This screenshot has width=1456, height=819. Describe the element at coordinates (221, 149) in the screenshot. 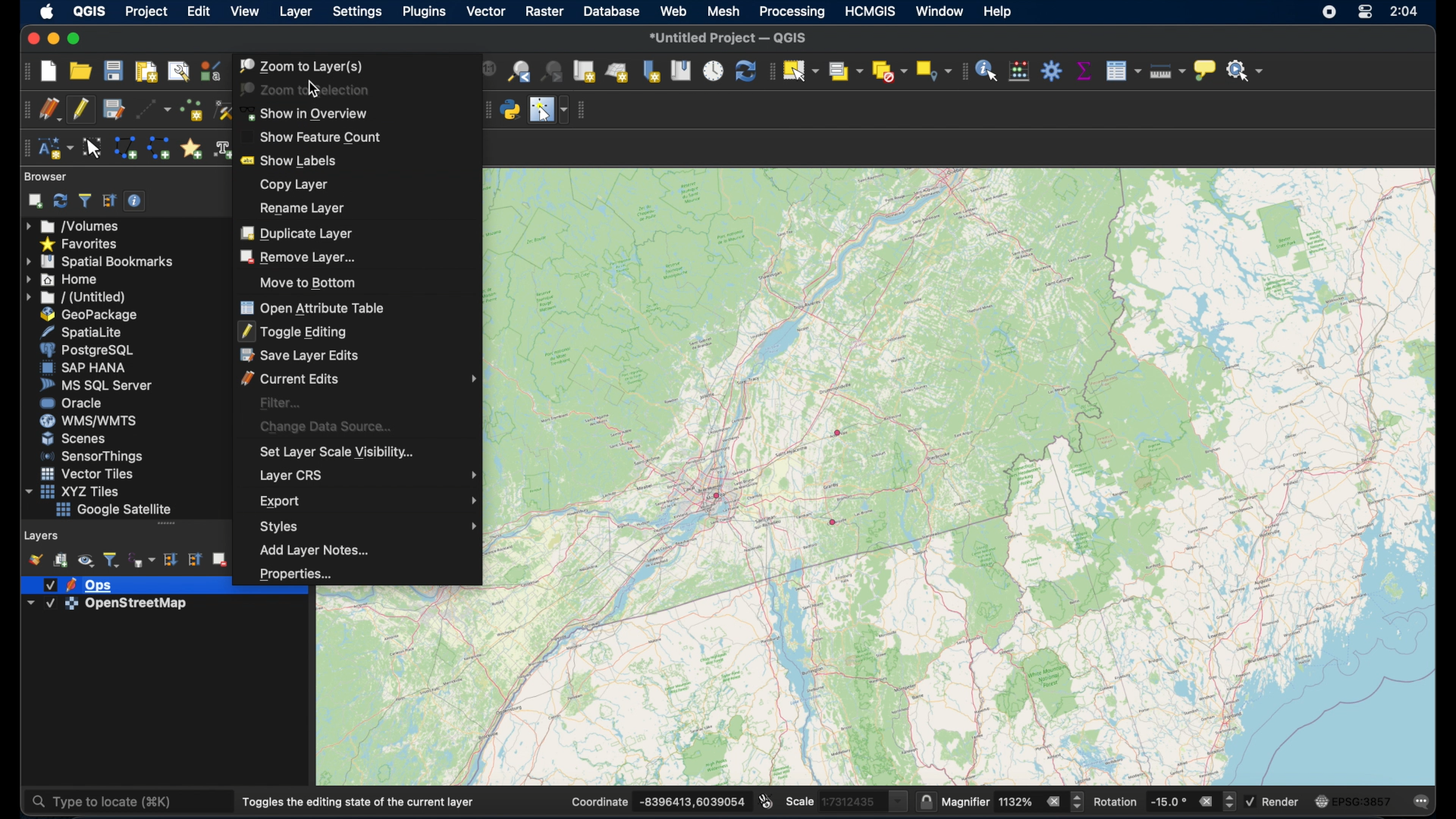

I see `create text annotation at point` at that location.